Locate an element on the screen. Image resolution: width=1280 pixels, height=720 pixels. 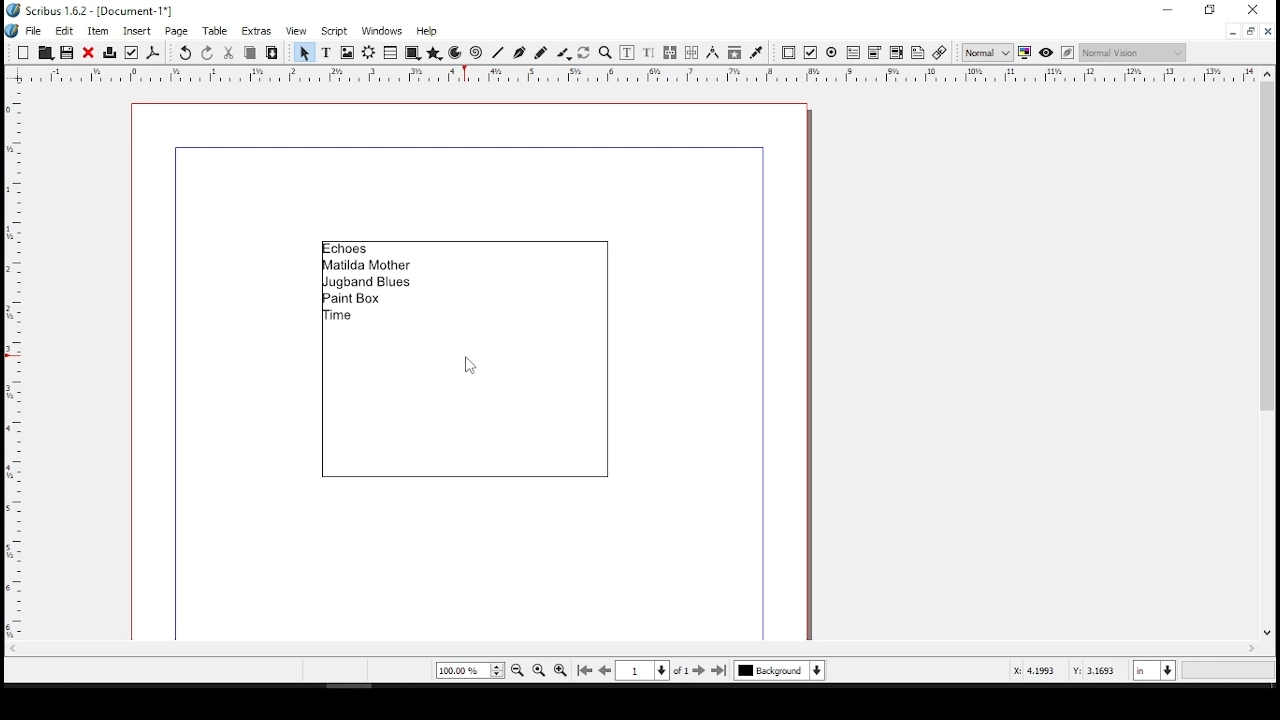
minimize is located at coordinates (1169, 10).